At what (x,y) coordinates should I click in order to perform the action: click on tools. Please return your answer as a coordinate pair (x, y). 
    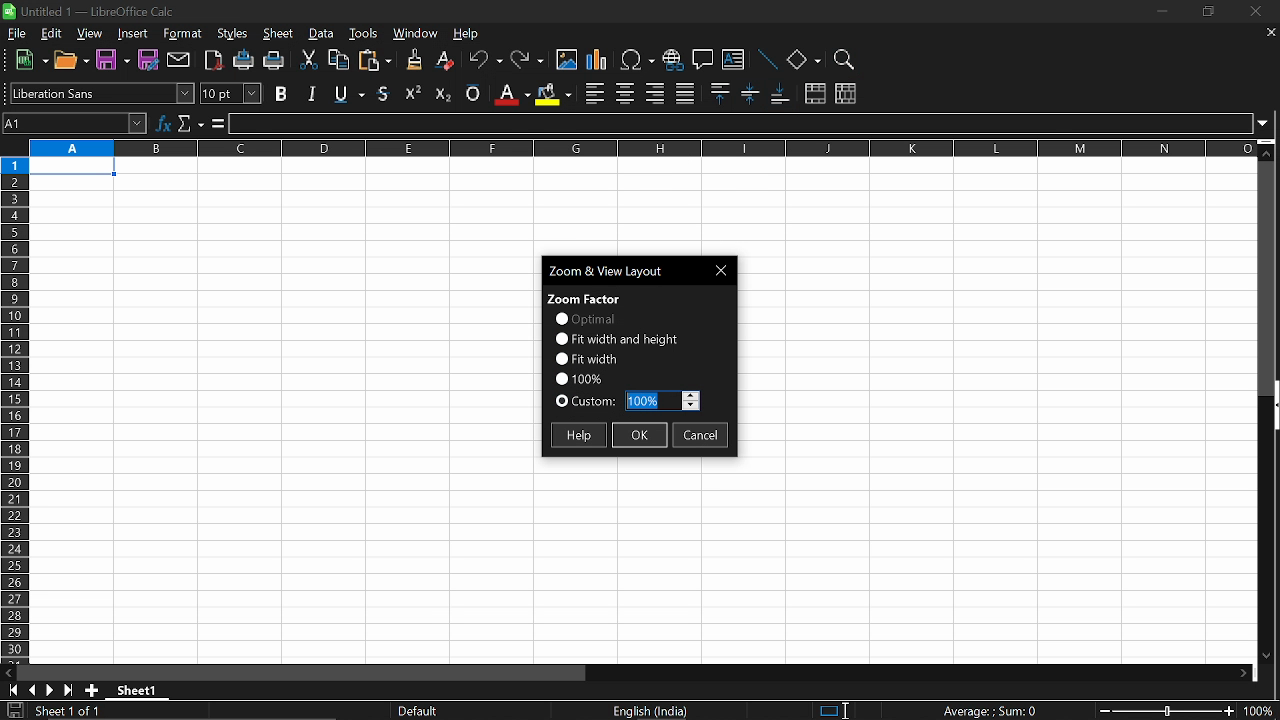
    Looking at the image, I should click on (364, 33).